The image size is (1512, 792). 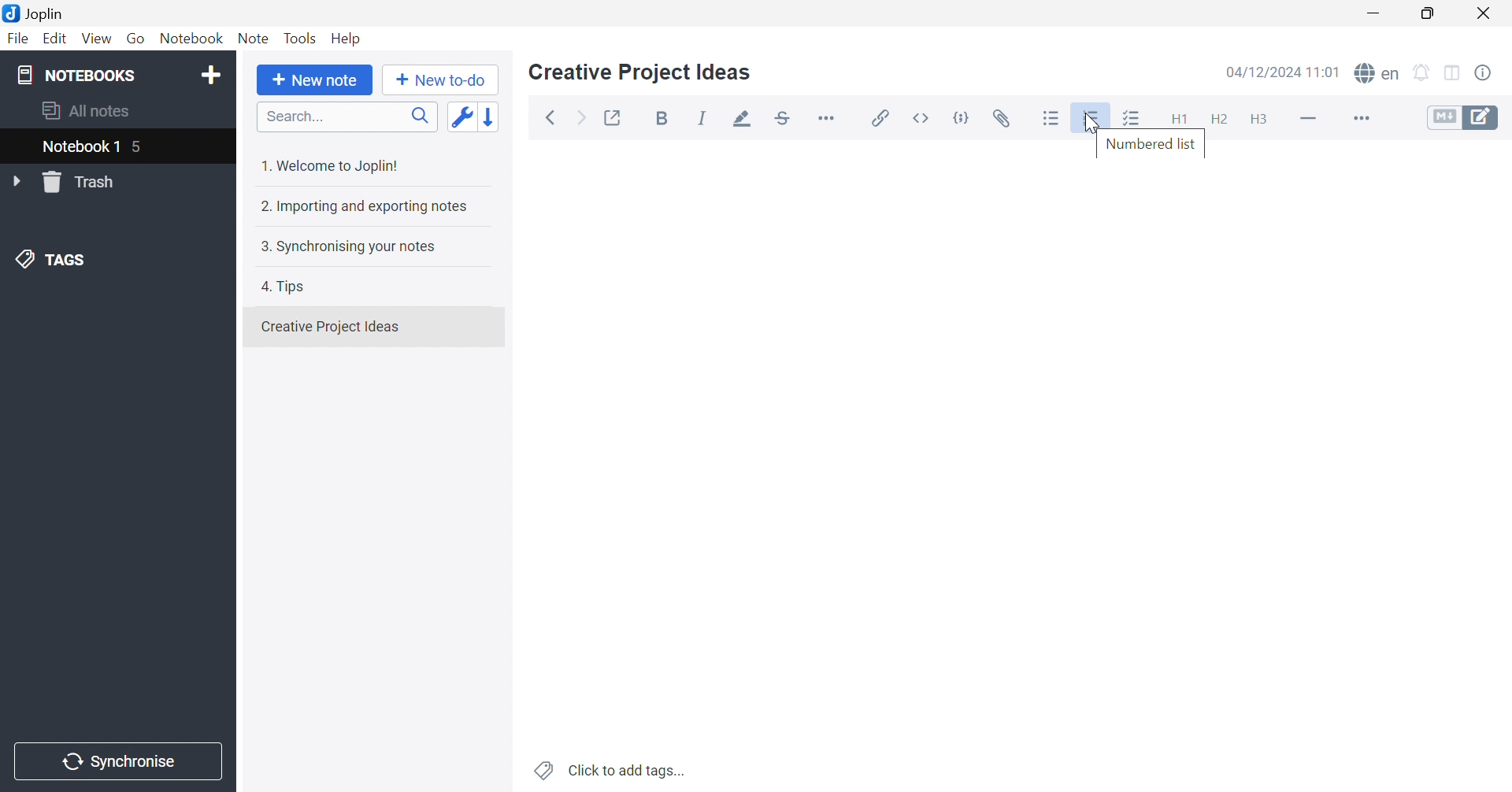 I want to click on Set alarm, so click(x=1423, y=72).